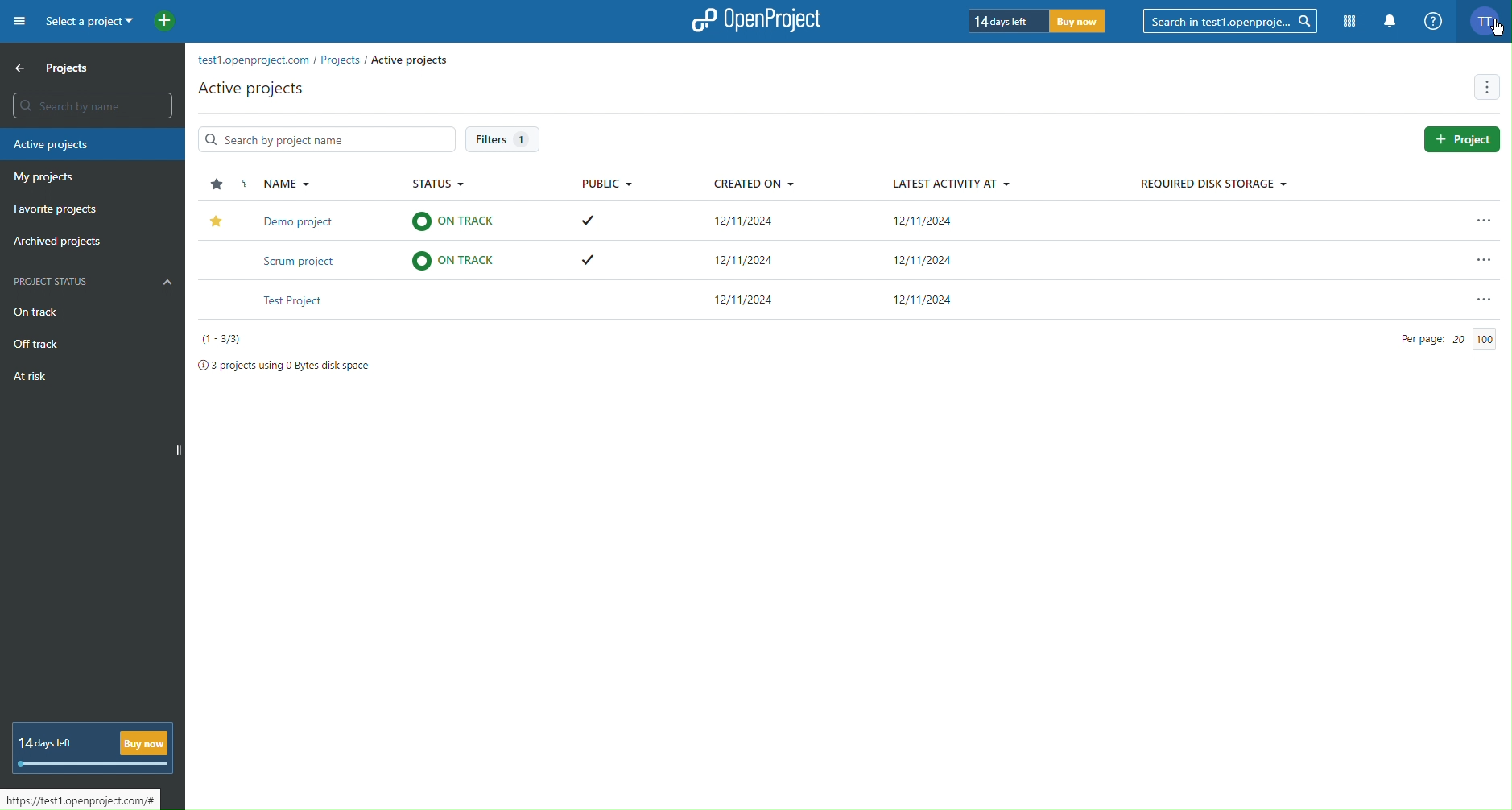 This screenshot has height=810, width=1512. What do you see at coordinates (109, 23) in the screenshot?
I see `Select a project` at bounding box center [109, 23].